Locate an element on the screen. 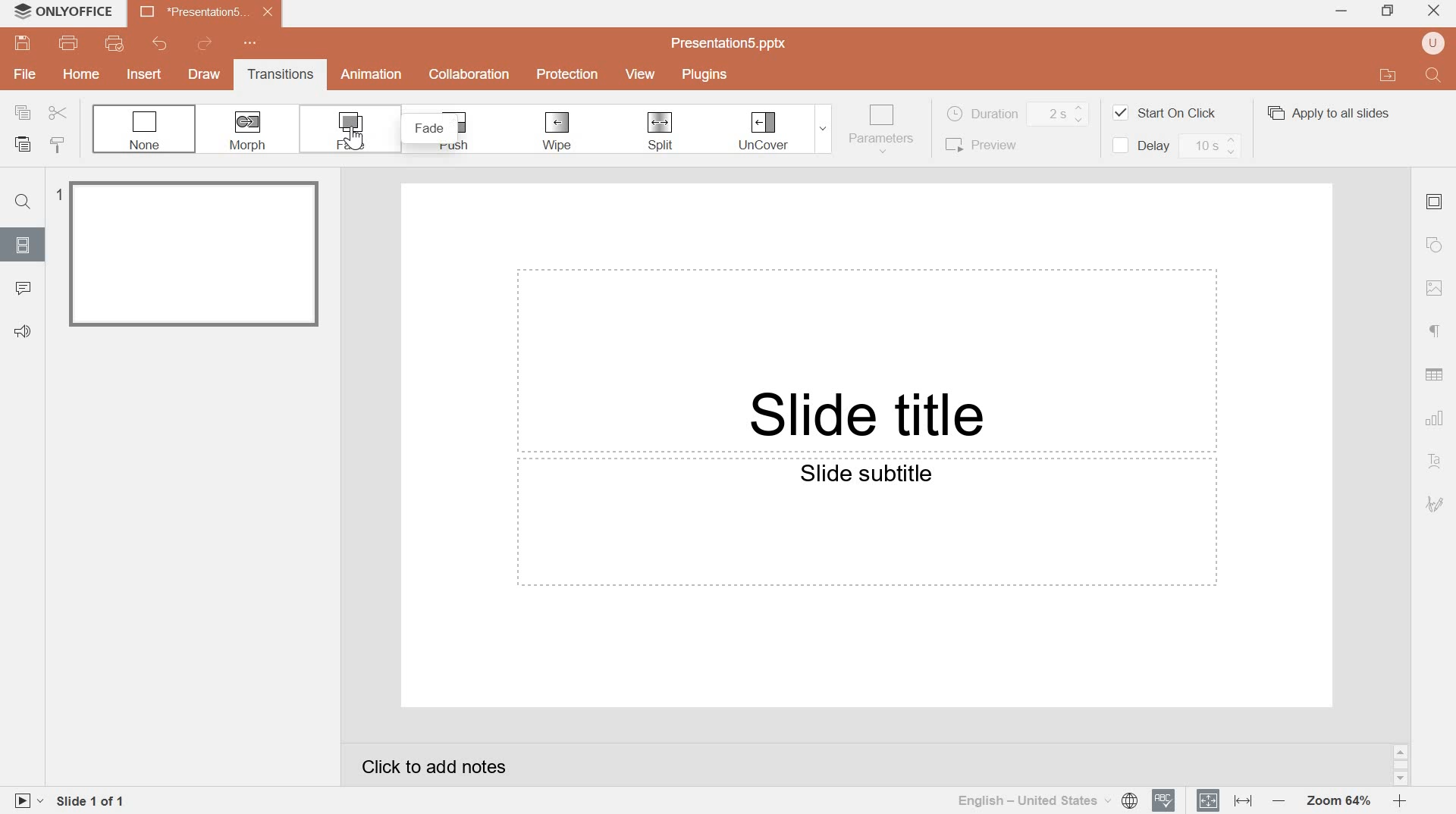 This screenshot has width=1456, height=814. redo is located at coordinates (204, 43).